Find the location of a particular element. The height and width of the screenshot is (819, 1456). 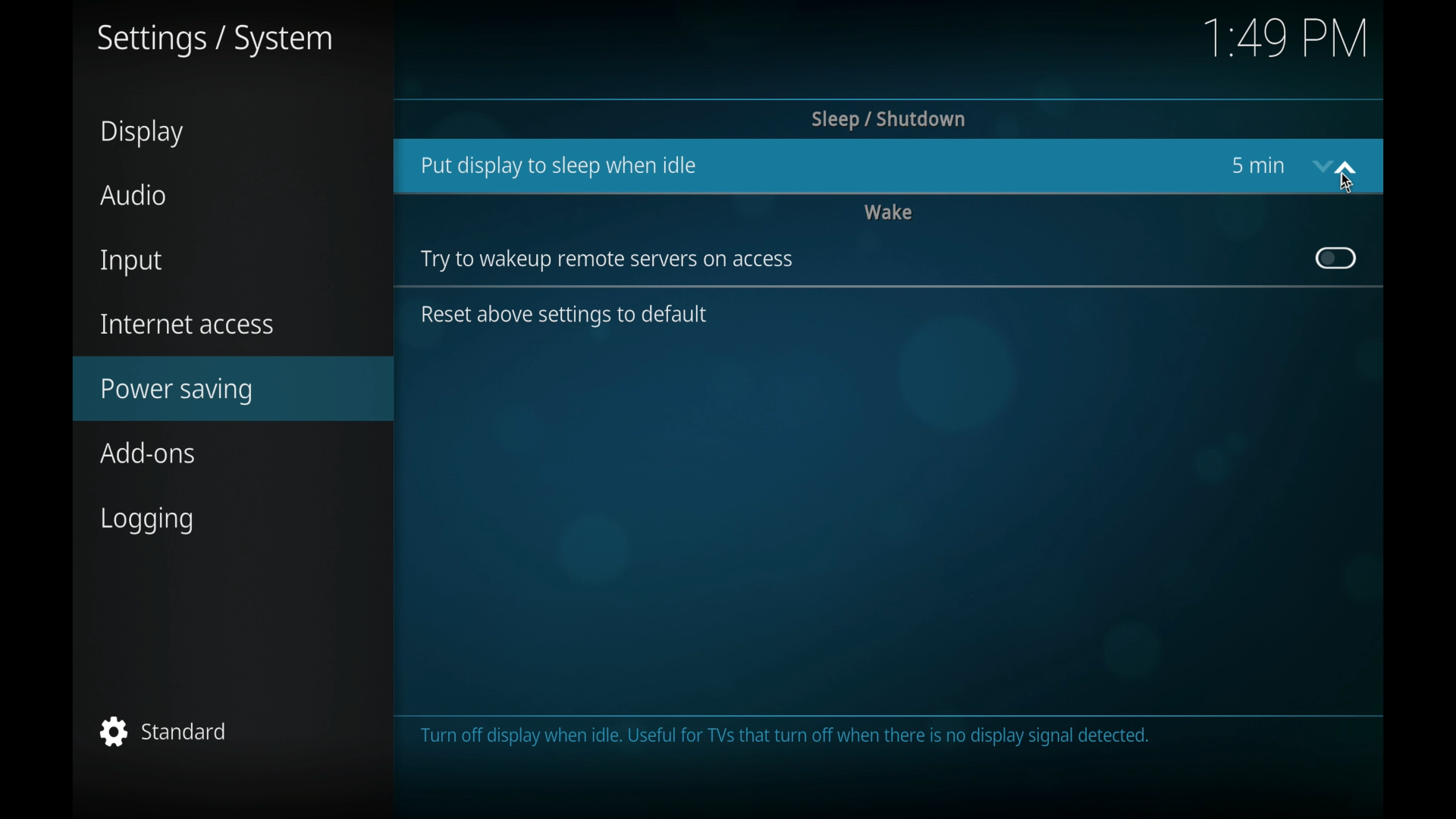

audio is located at coordinates (133, 196).